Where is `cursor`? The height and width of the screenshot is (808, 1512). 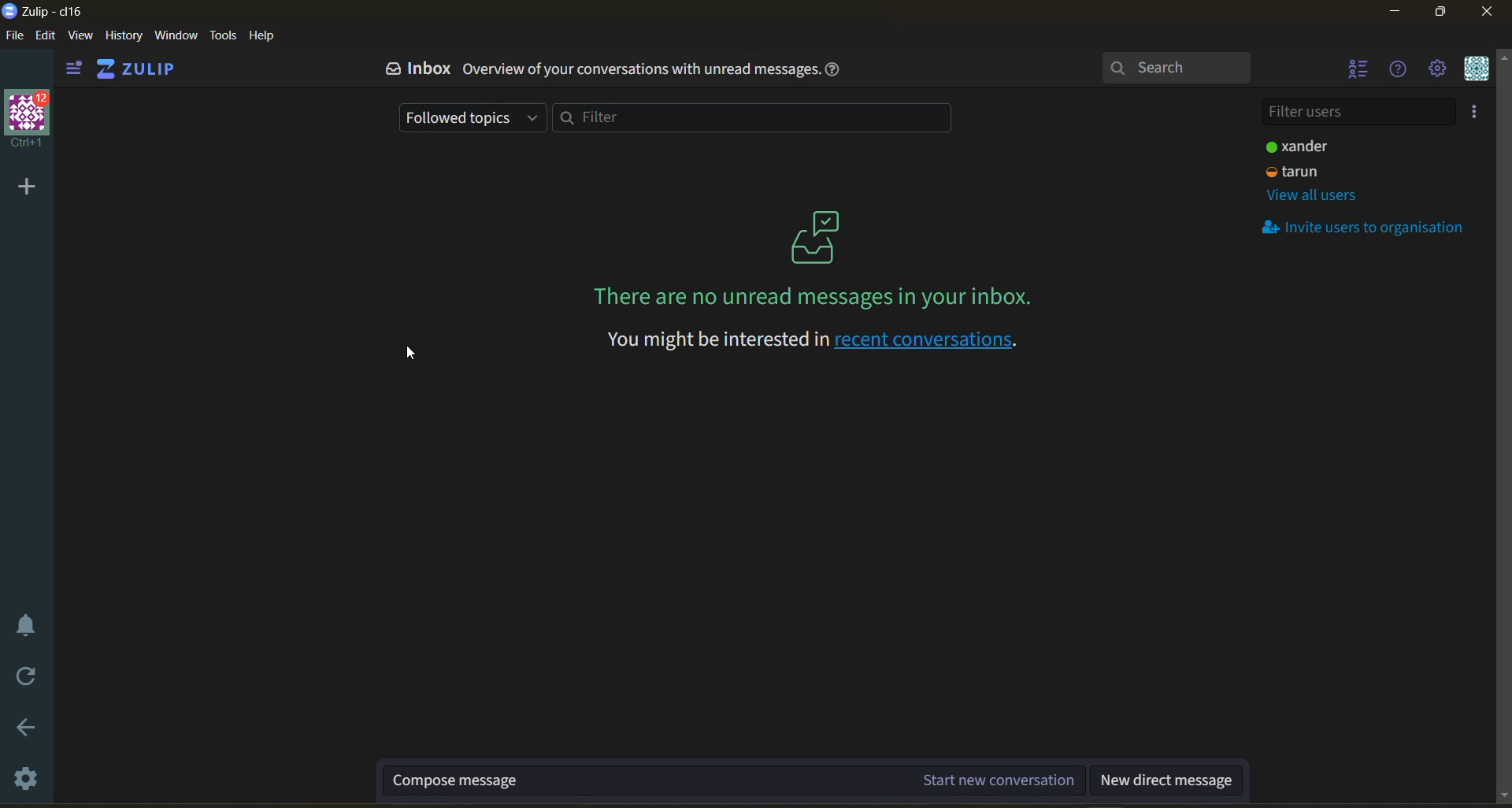
cursor is located at coordinates (411, 352).